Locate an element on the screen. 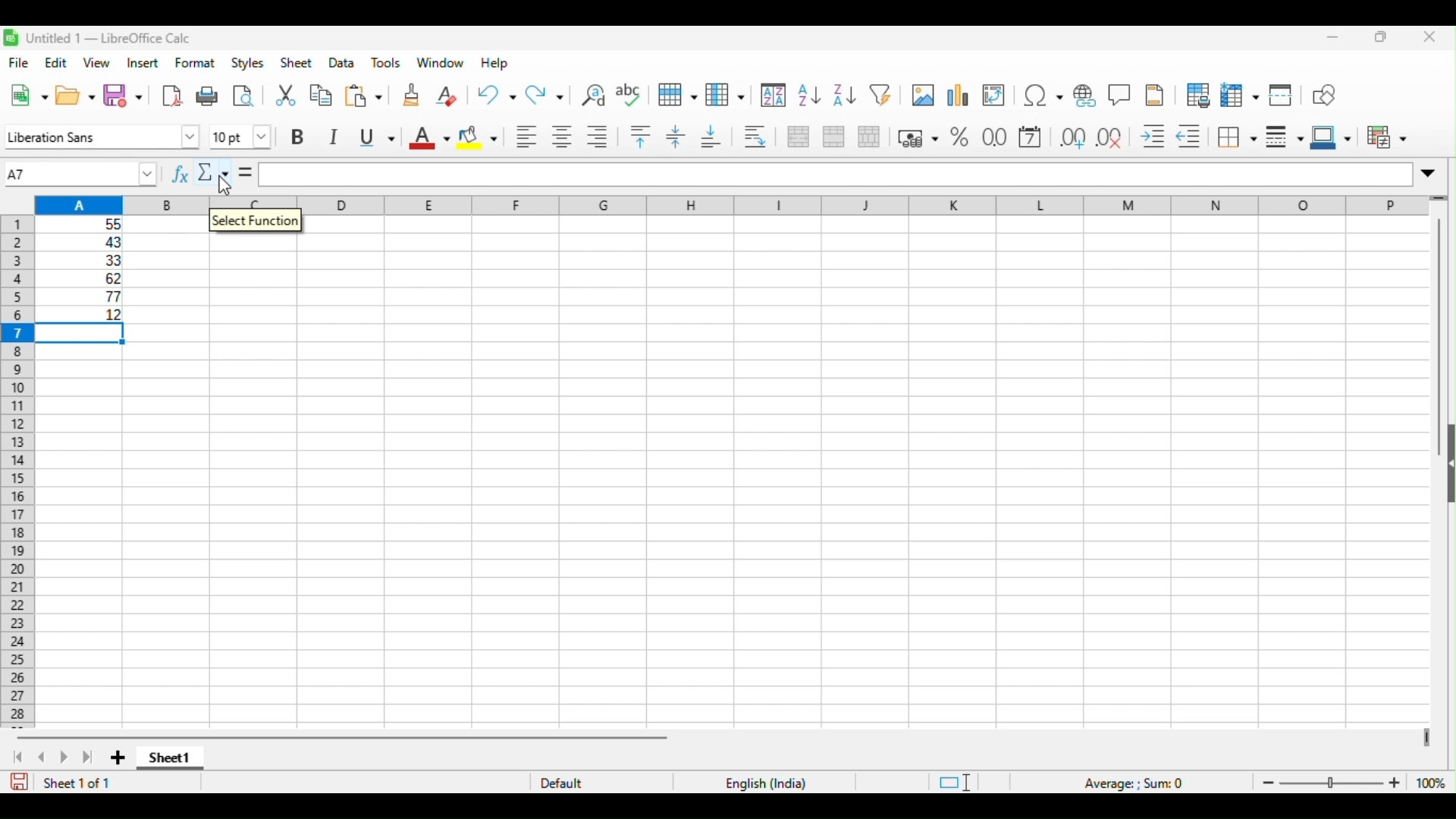 This screenshot has height=819, width=1456. unmerge cells is located at coordinates (869, 137).